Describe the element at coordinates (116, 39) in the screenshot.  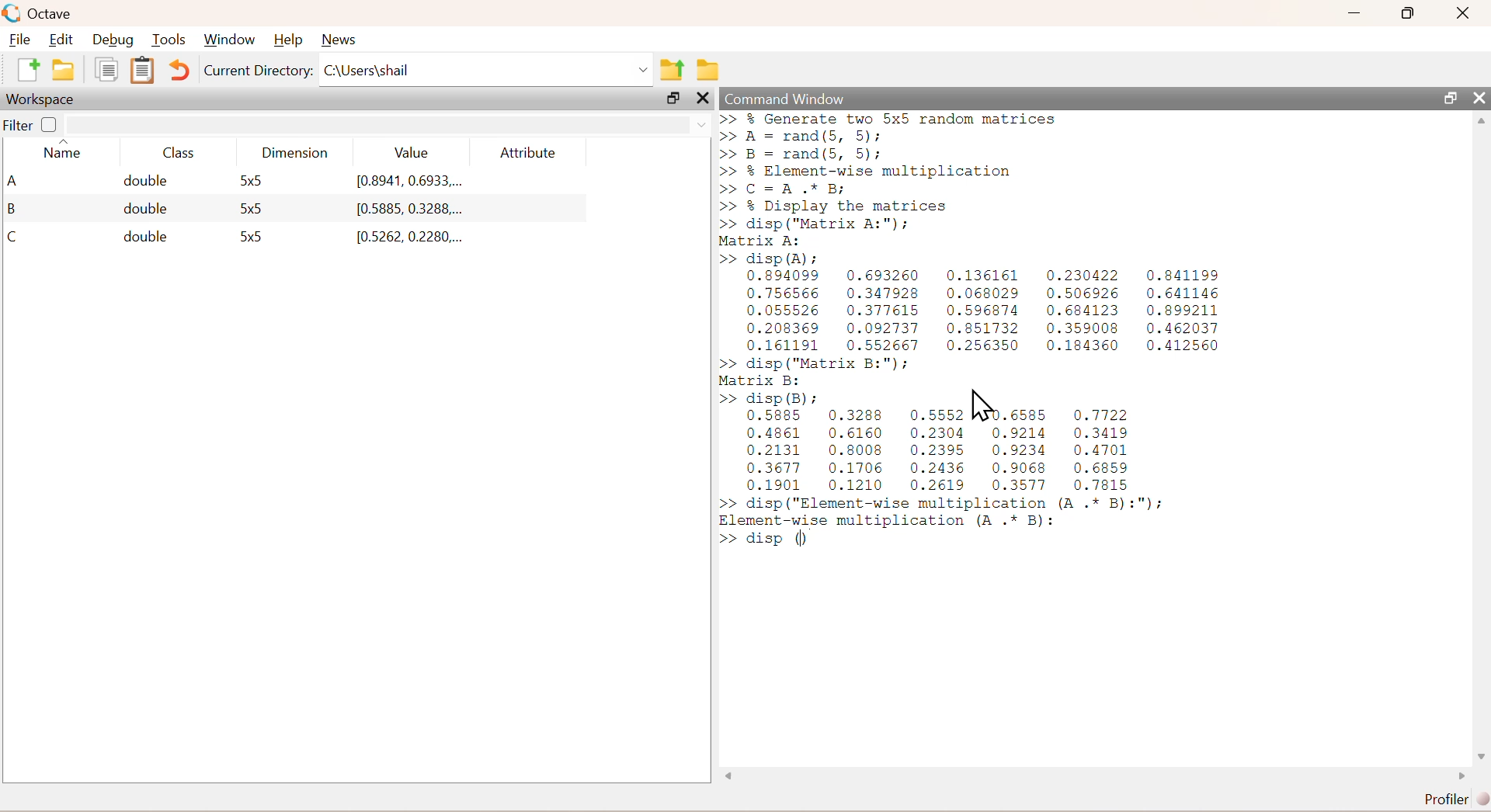
I see `Debug` at that location.